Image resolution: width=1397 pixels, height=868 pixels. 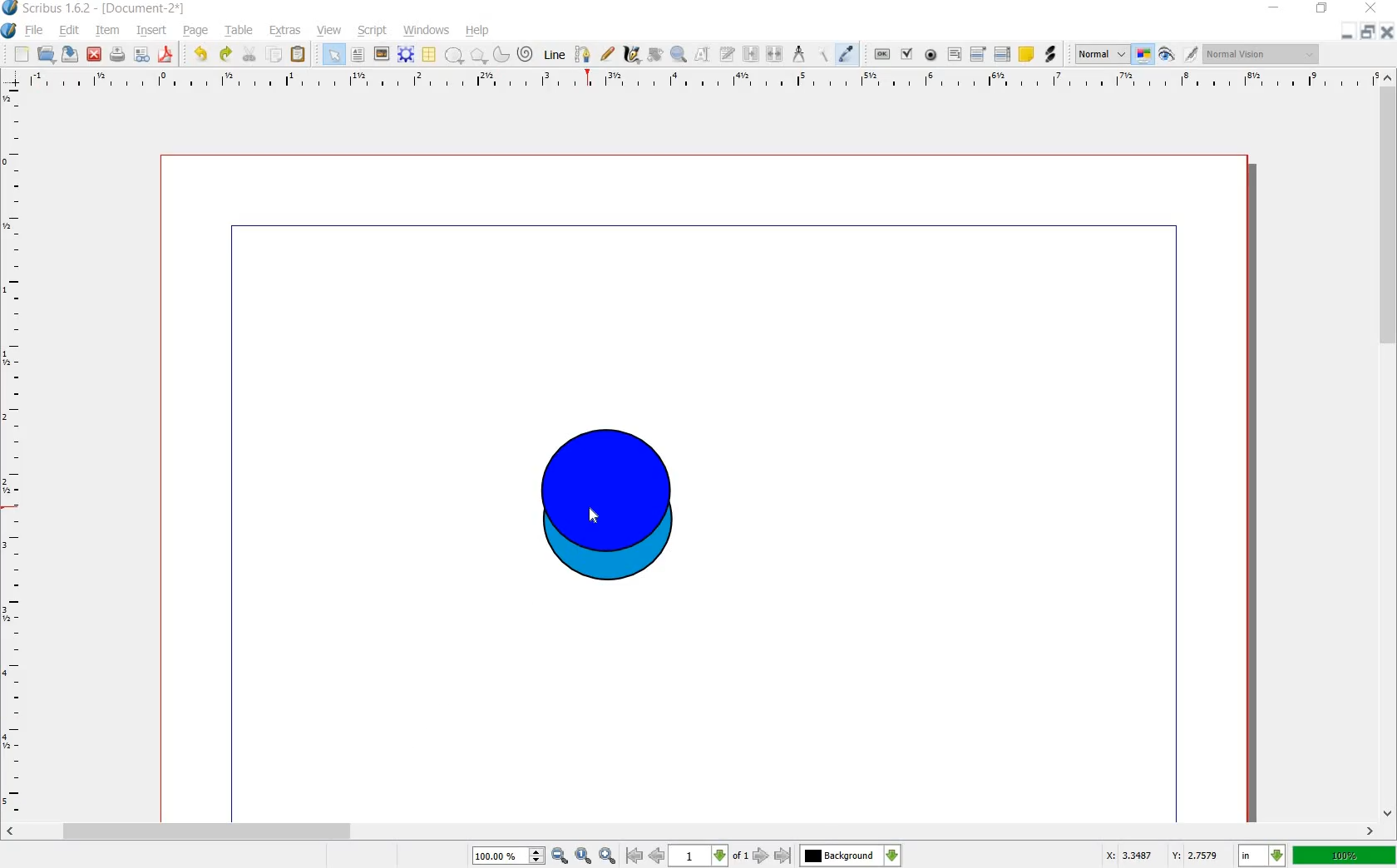 What do you see at coordinates (108, 31) in the screenshot?
I see `item` at bounding box center [108, 31].